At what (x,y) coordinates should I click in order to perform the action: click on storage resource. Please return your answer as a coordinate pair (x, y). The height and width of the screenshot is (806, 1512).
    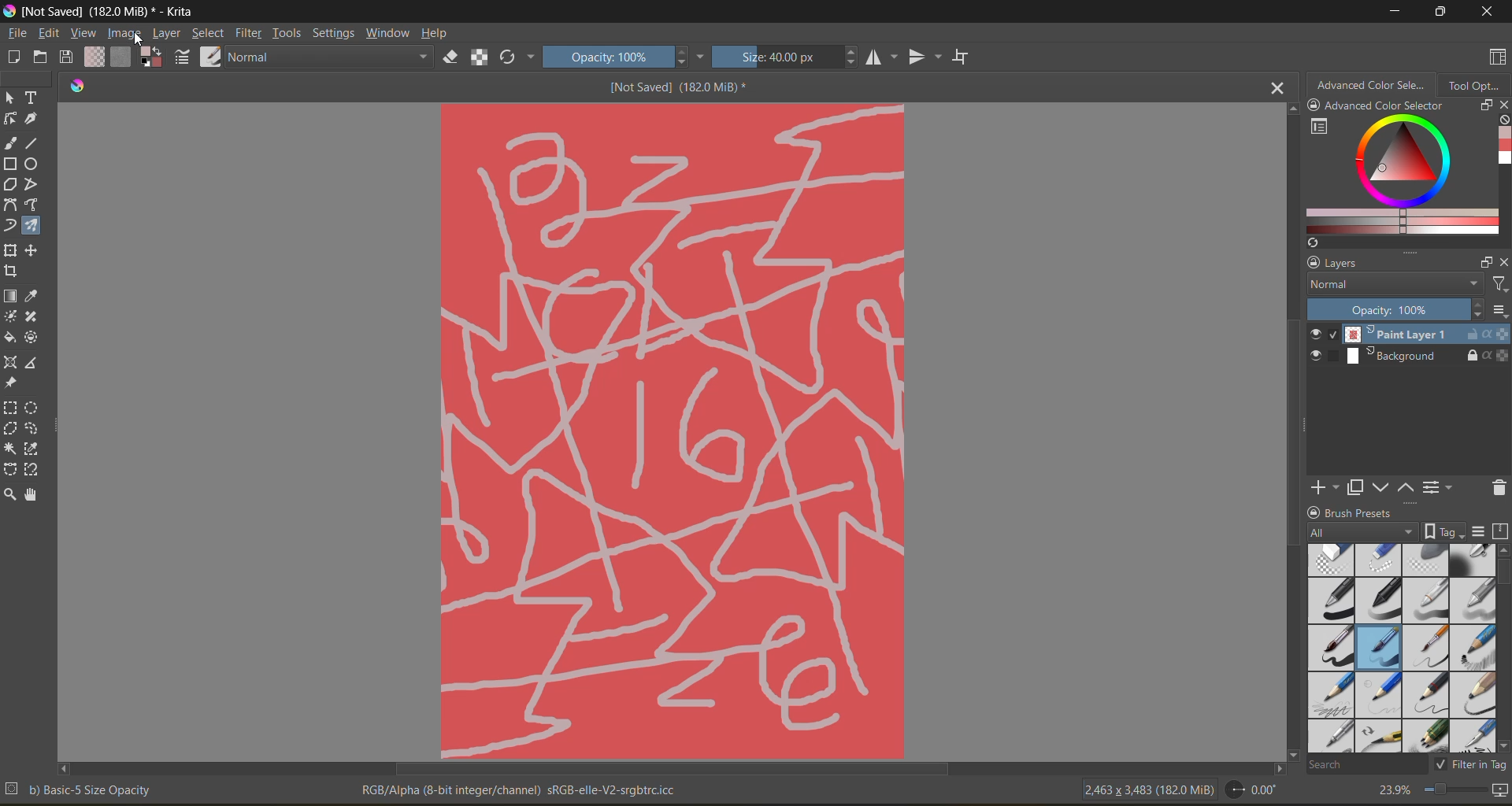
    Looking at the image, I should click on (1499, 533).